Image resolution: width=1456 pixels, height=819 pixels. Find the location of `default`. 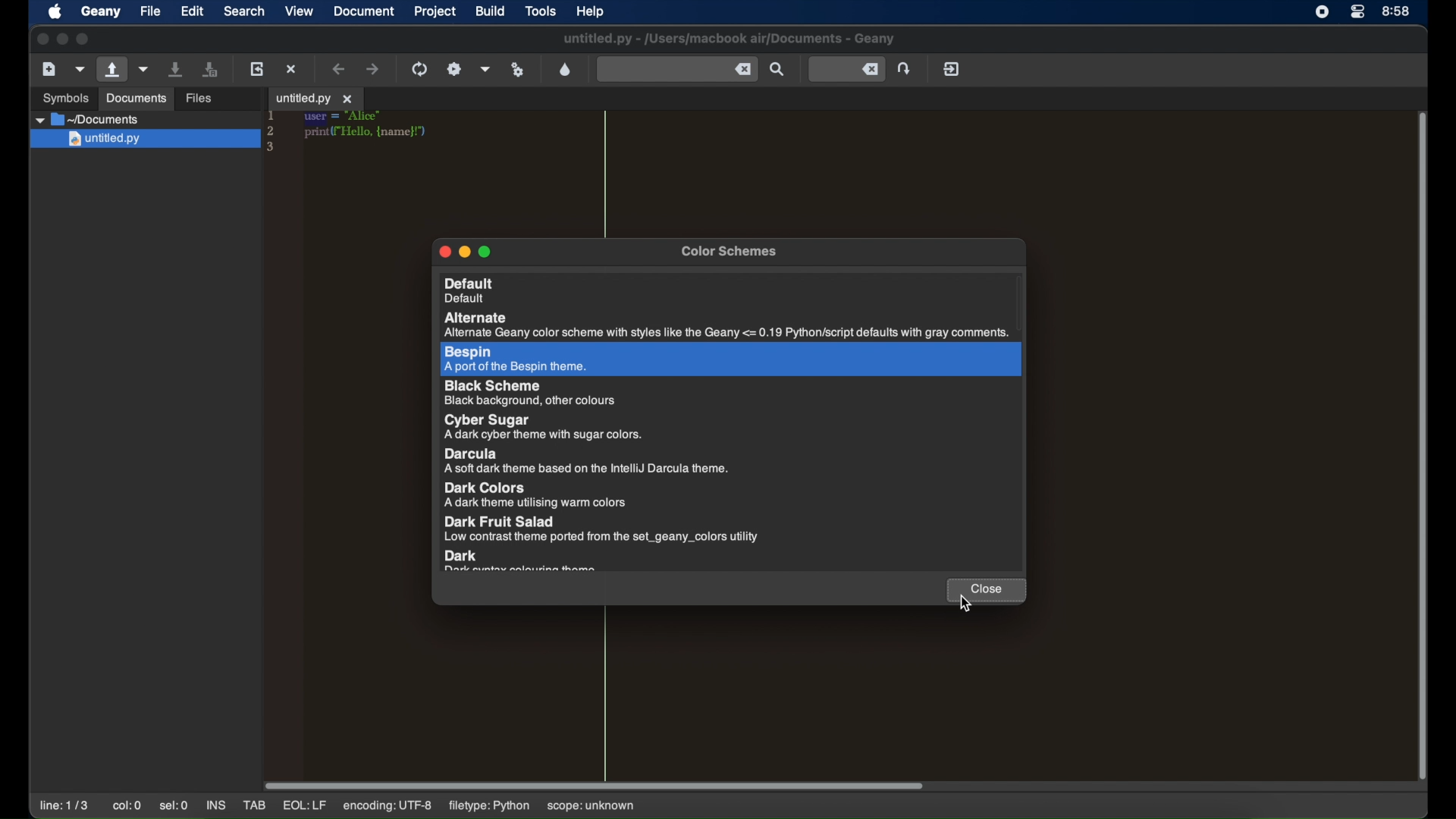

default is located at coordinates (730, 290).